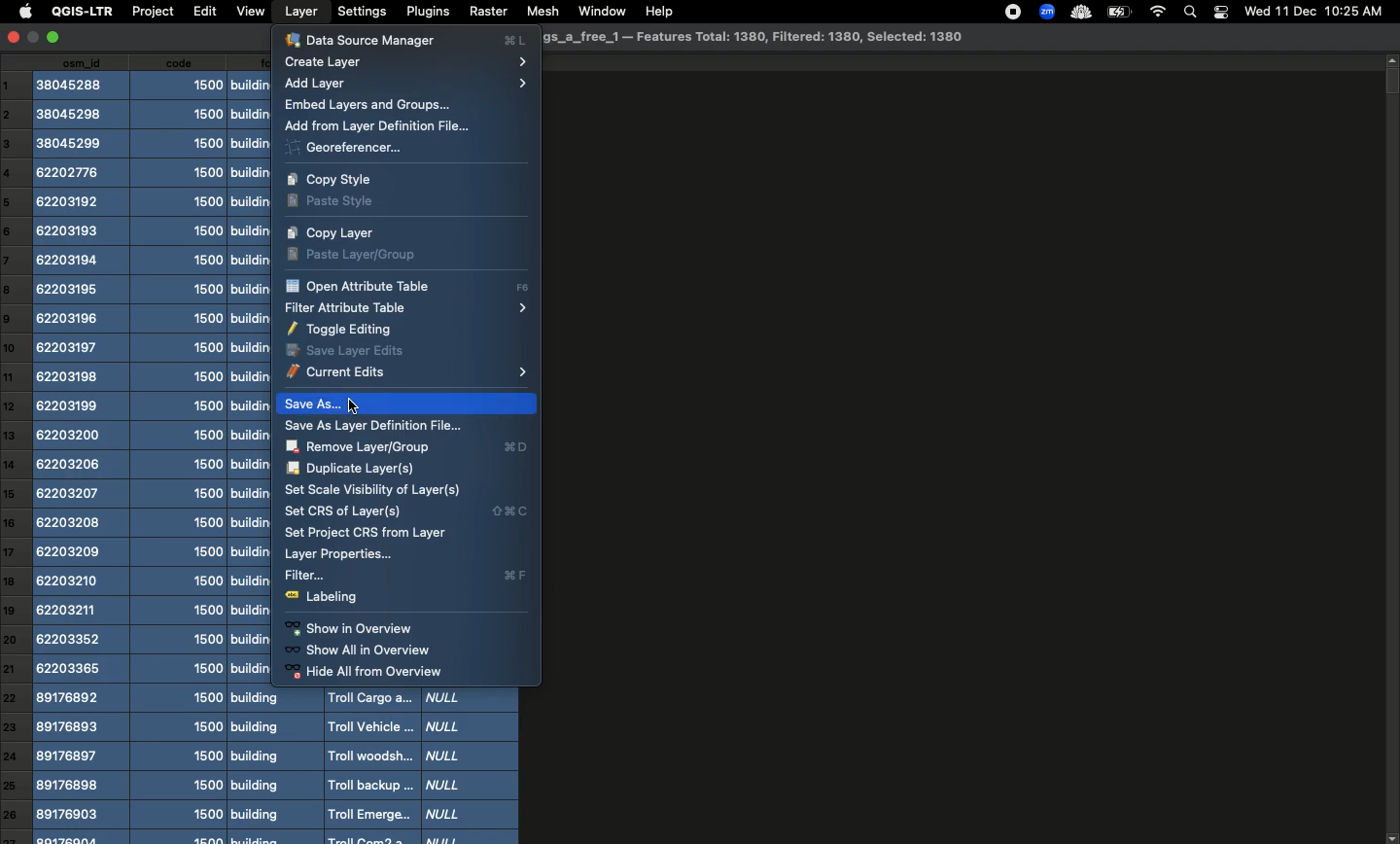 The width and height of the screenshot is (1400, 844). Describe the element at coordinates (378, 672) in the screenshot. I see `Hide all from overview` at that location.